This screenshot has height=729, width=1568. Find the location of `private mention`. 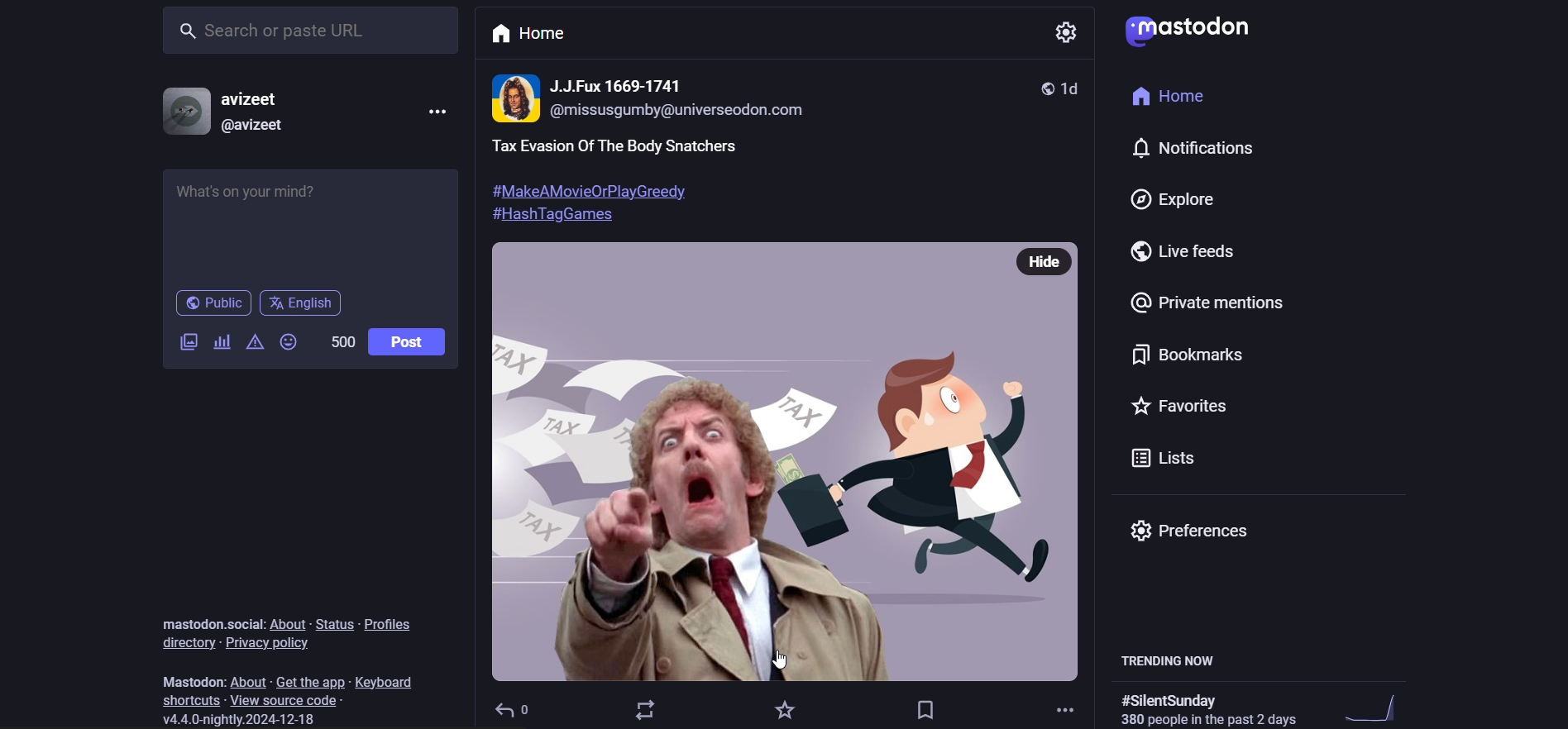

private mention is located at coordinates (1217, 303).